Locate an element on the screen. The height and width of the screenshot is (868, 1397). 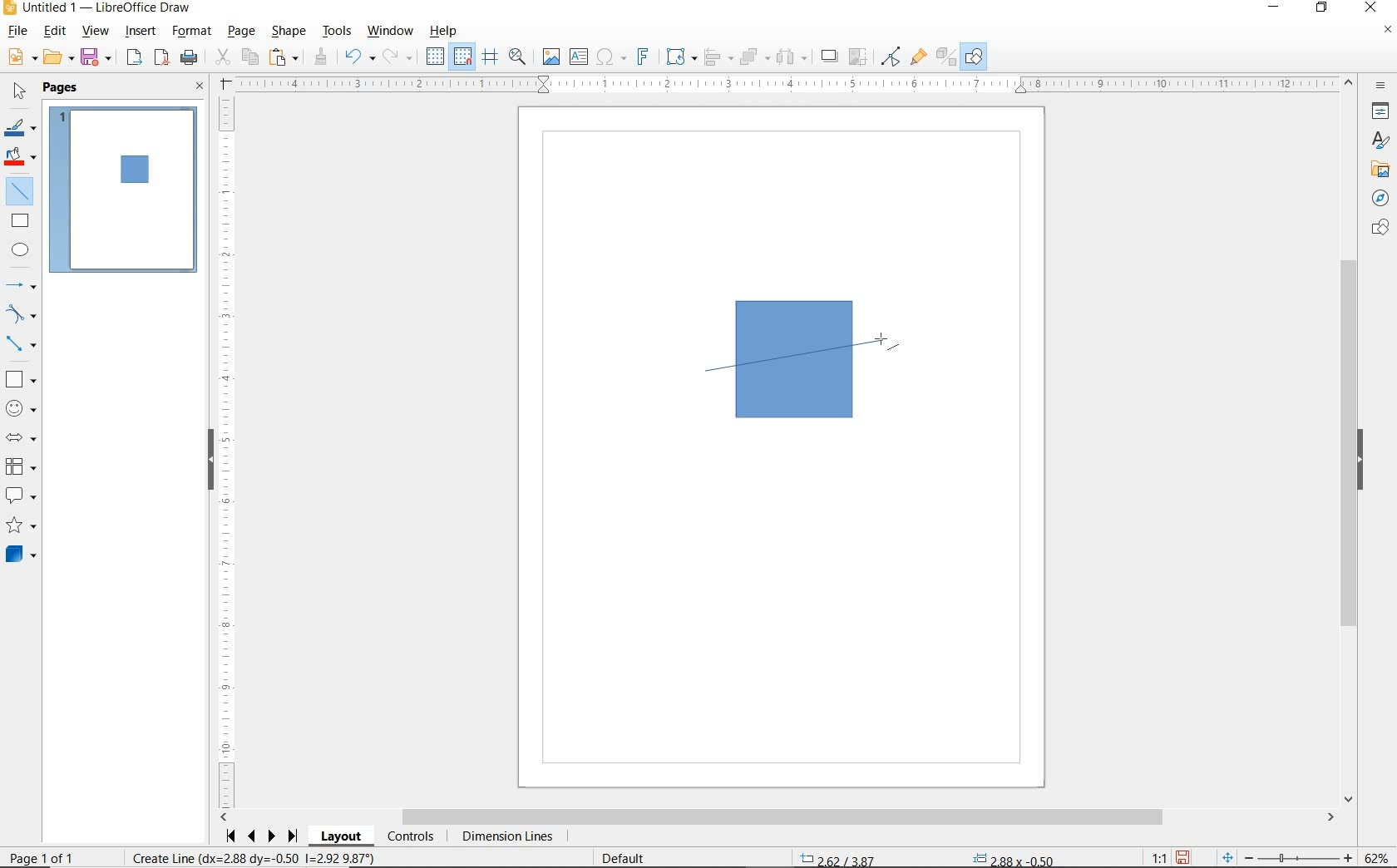
SYMBOL SHAPES is located at coordinates (22, 407).